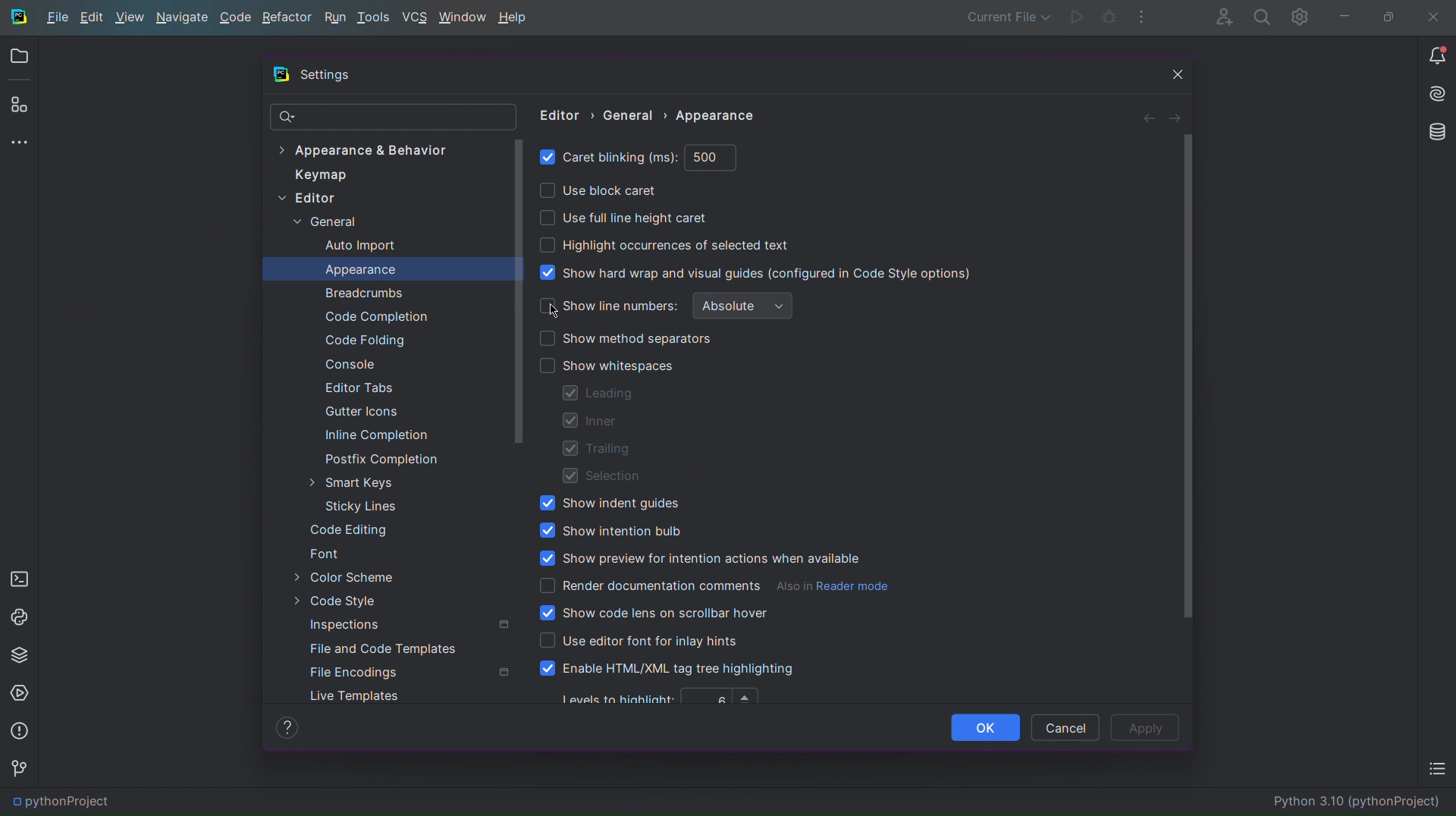 The image size is (1456, 816). I want to click on File and Code Templates, so click(388, 648).